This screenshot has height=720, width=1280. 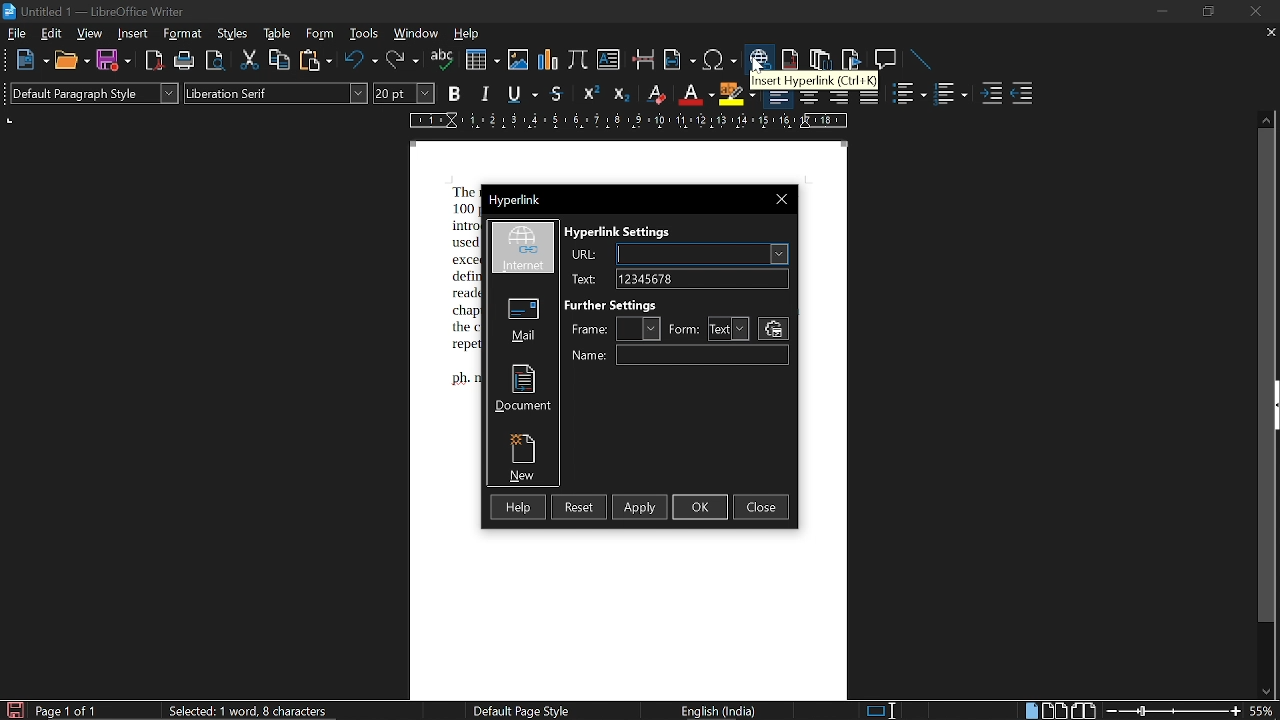 What do you see at coordinates (453, 95) in the screenshot?
I see `bold` at bounding box center [453, 95].